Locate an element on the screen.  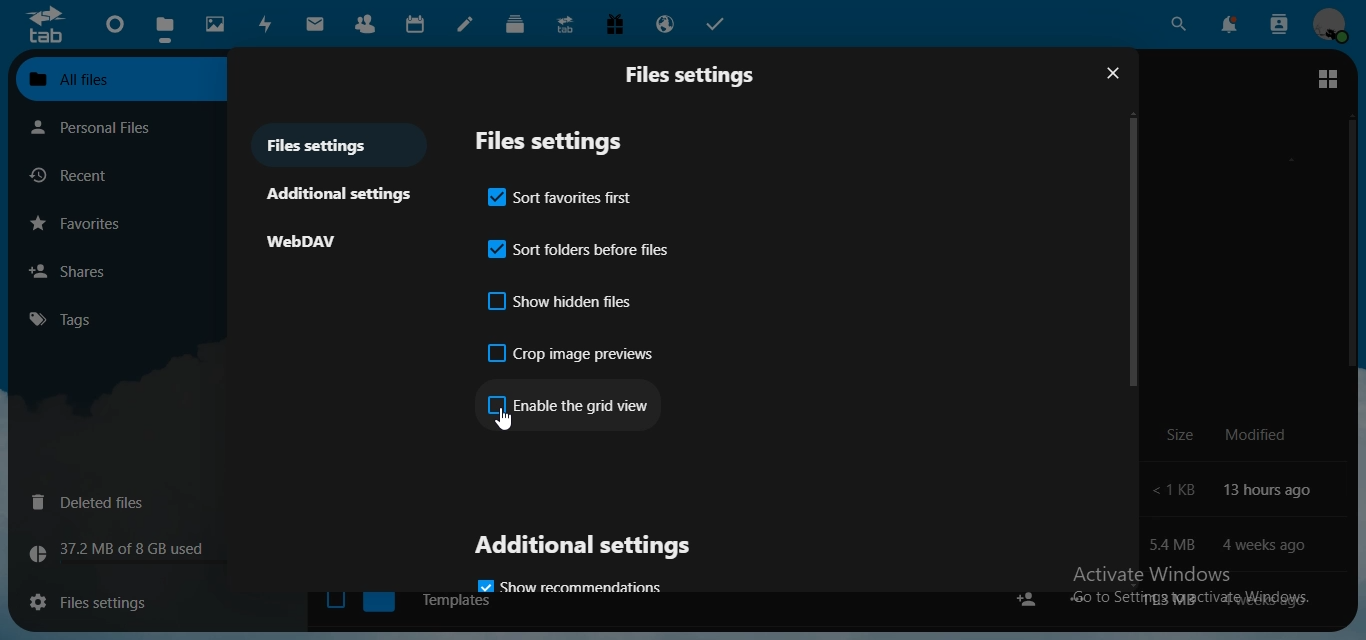
sort folders before files is located at coordinates (581, 246).